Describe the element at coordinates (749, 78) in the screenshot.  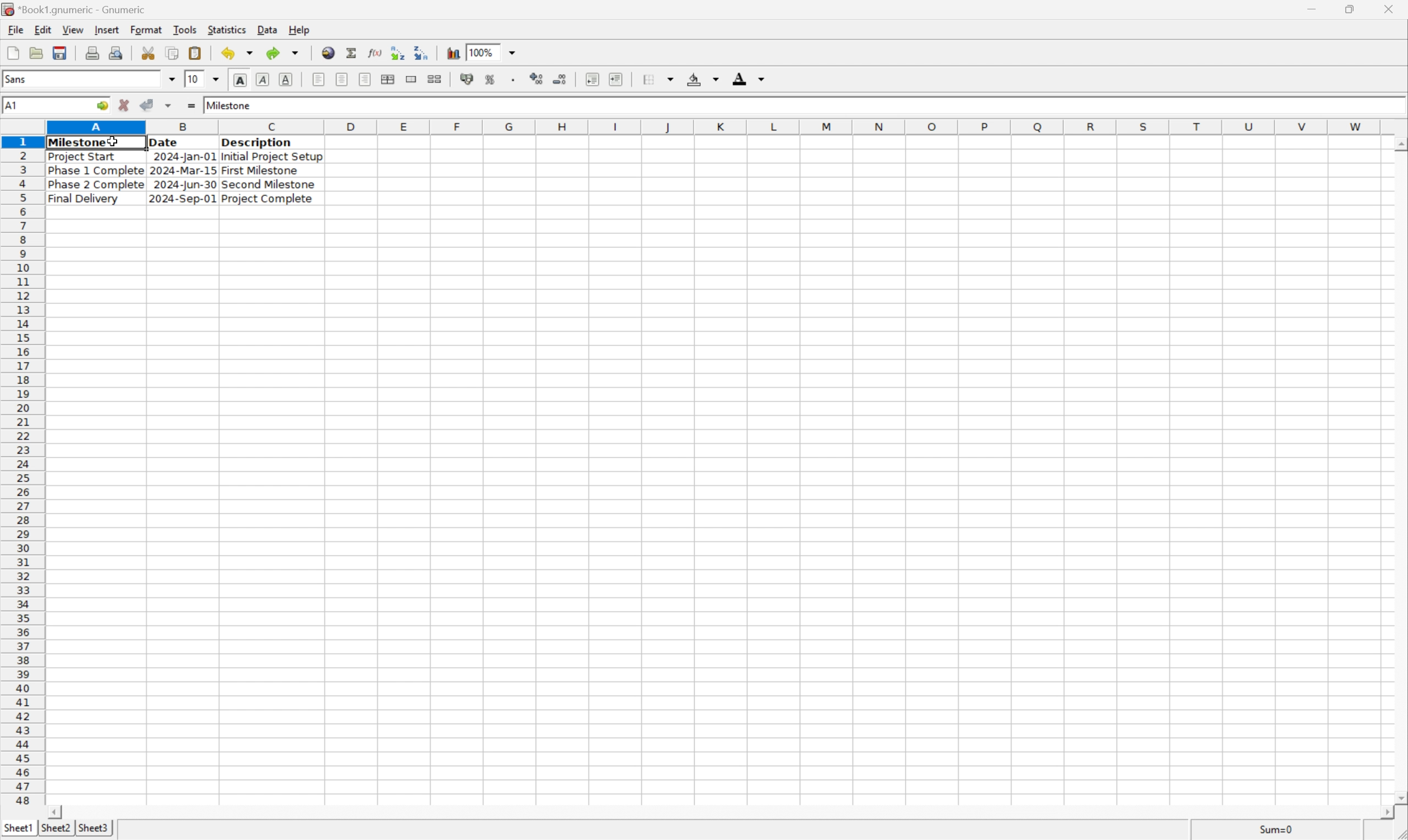
I see `font color` at that location.